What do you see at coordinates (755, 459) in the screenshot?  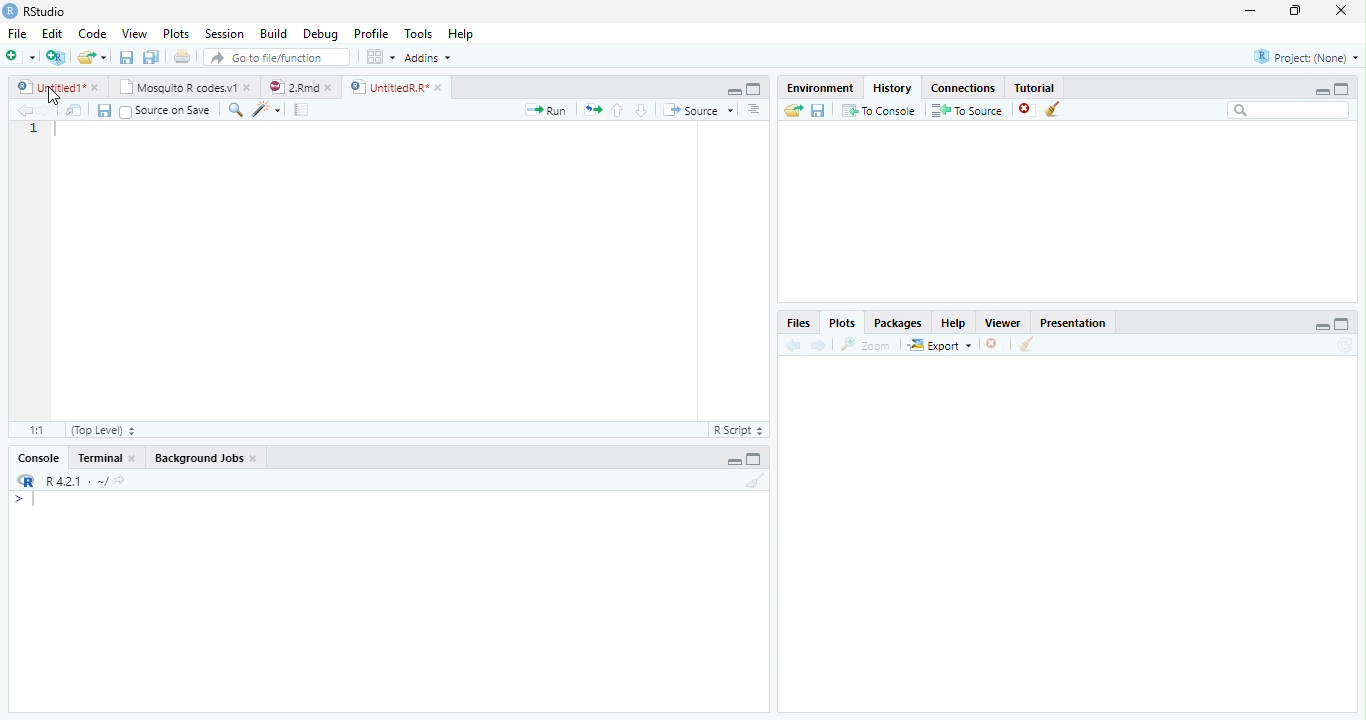 I see `Maximize` at bounding box center [755, 459].